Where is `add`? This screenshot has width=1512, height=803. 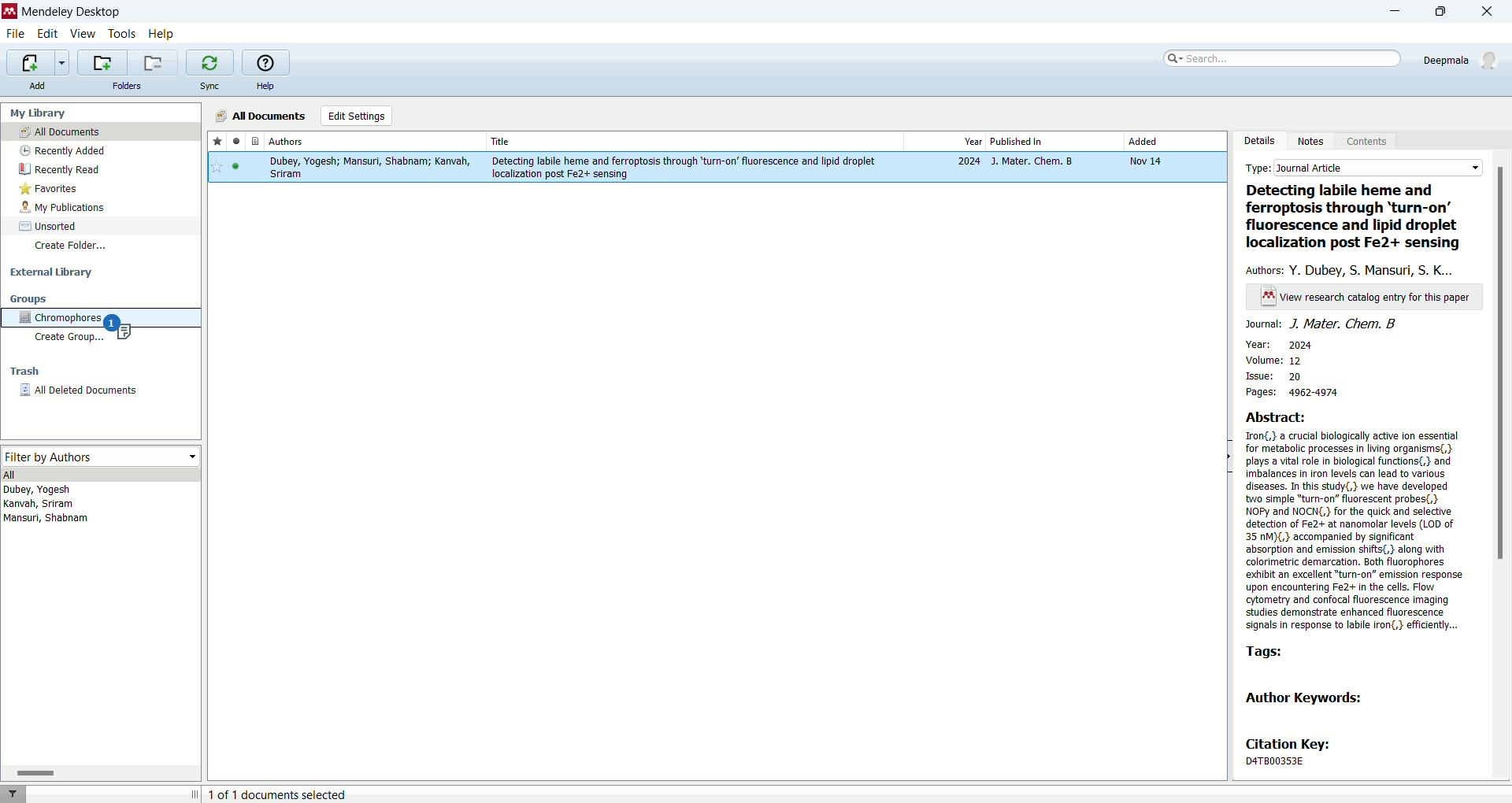 add is located at coordinates (39, 86).